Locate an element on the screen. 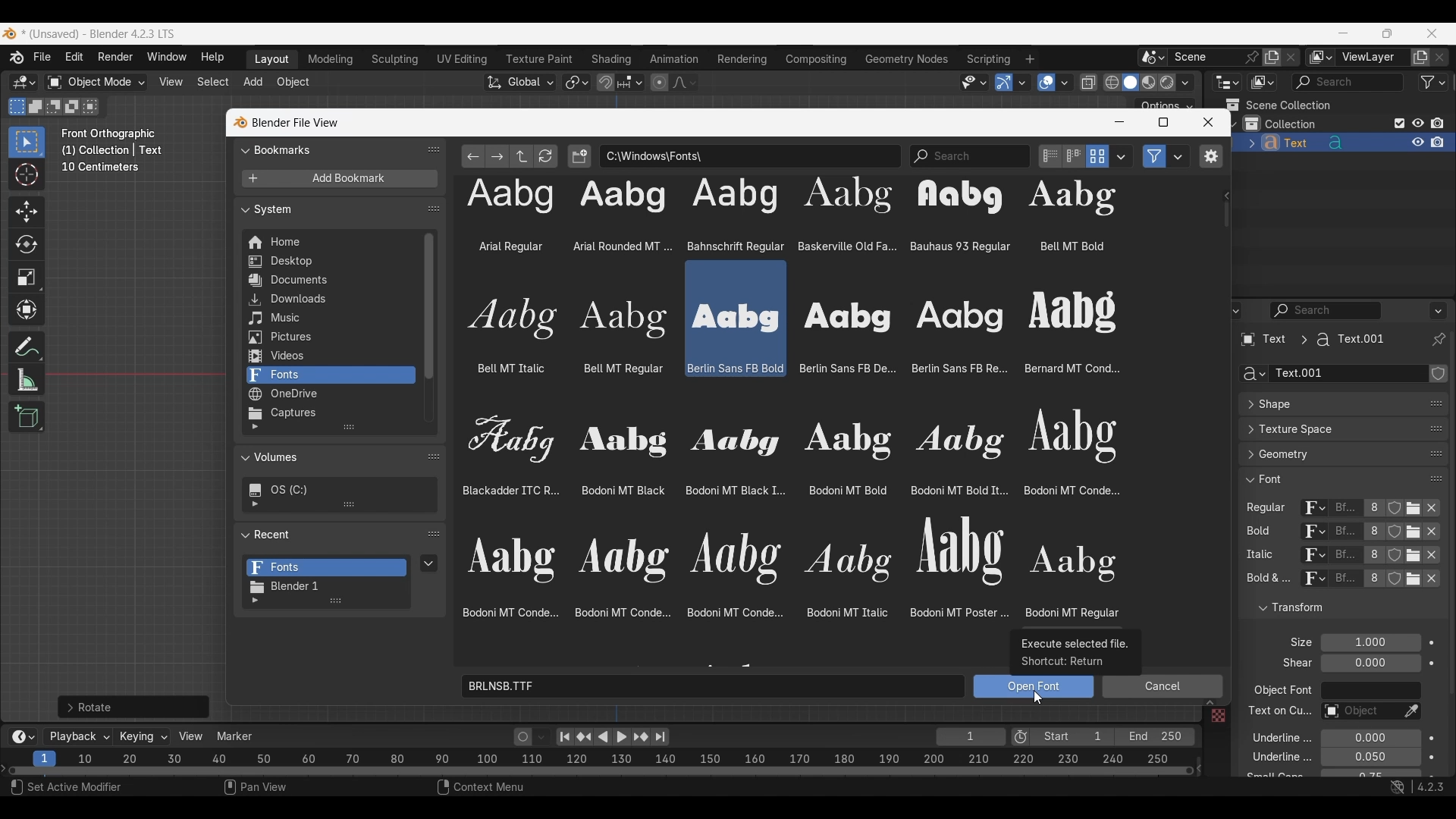 The image size is (1456, 819). Shading is located at coordinates (1185, 83).